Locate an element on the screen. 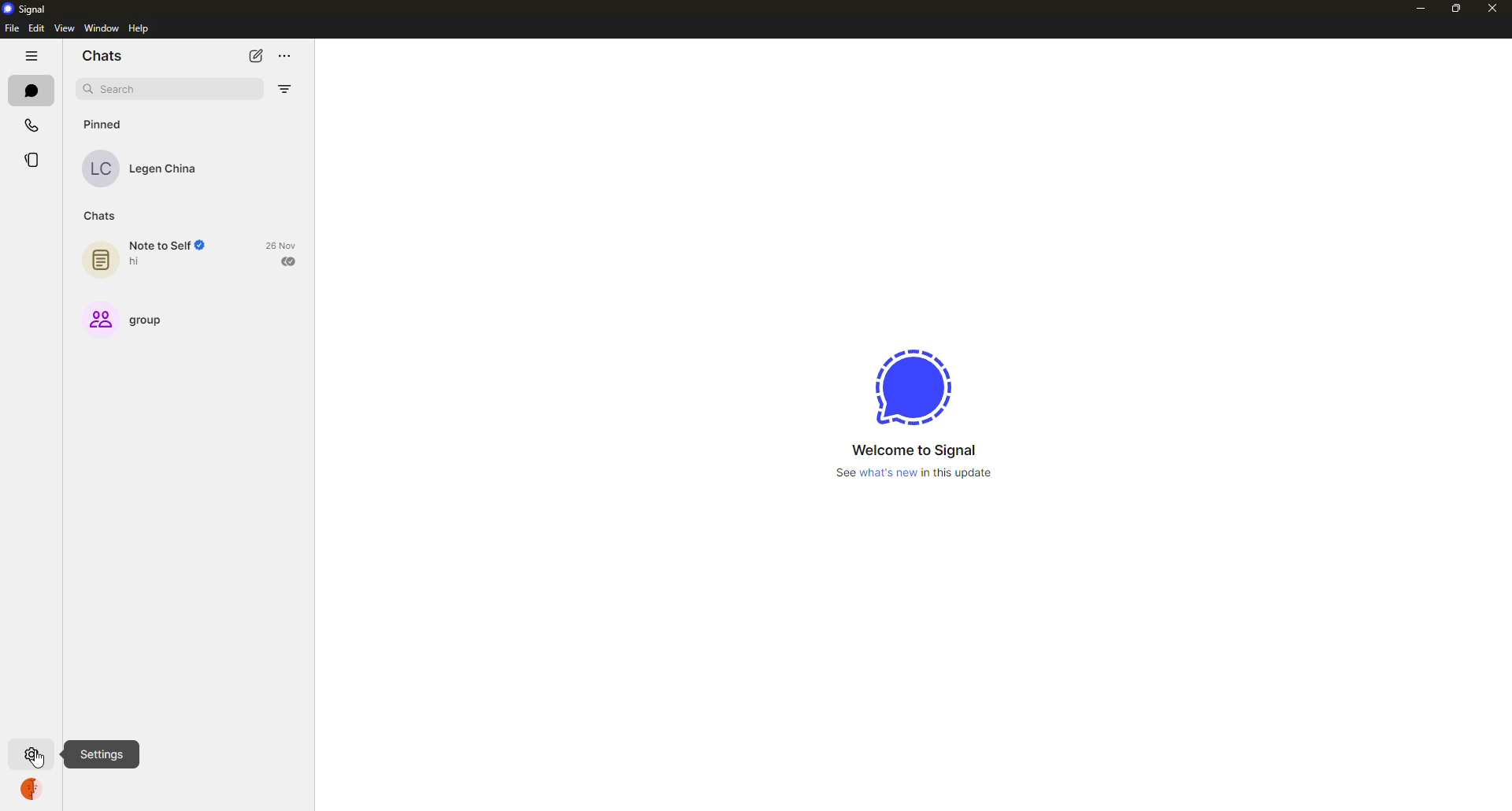  chats is located at coordinates (106, 54).